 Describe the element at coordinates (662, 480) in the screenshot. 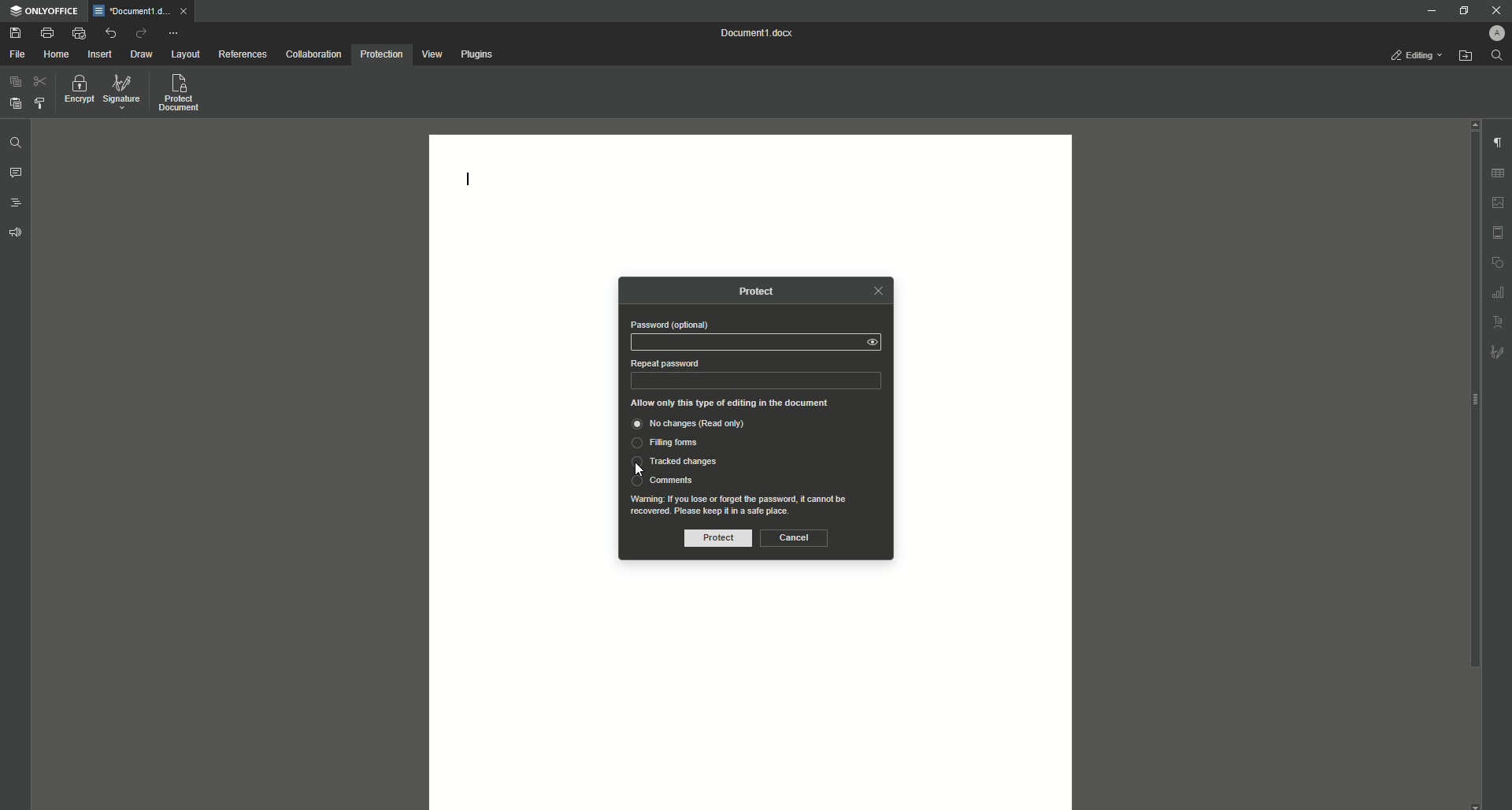

I see `Comments` at that location.